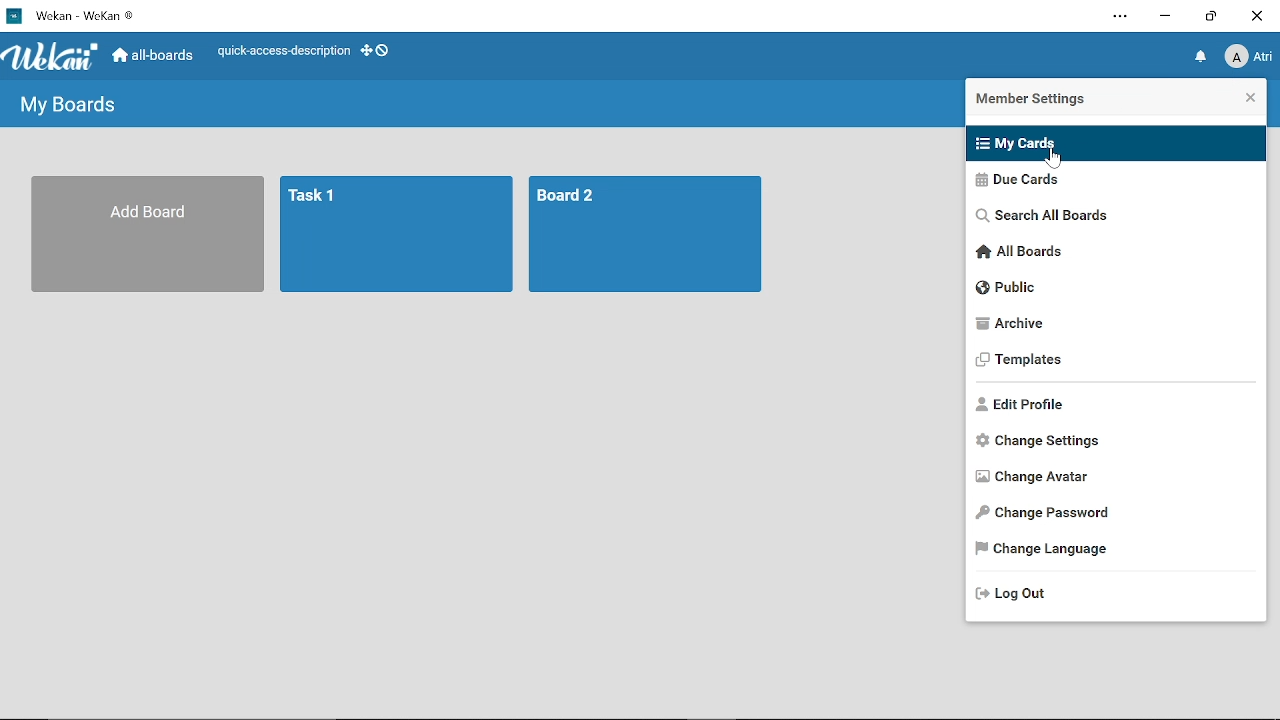 This screenshot has width=1280, height=720. Describe the element at coordinates (1258, 16) in the screenshot. I see `Close` at that location.